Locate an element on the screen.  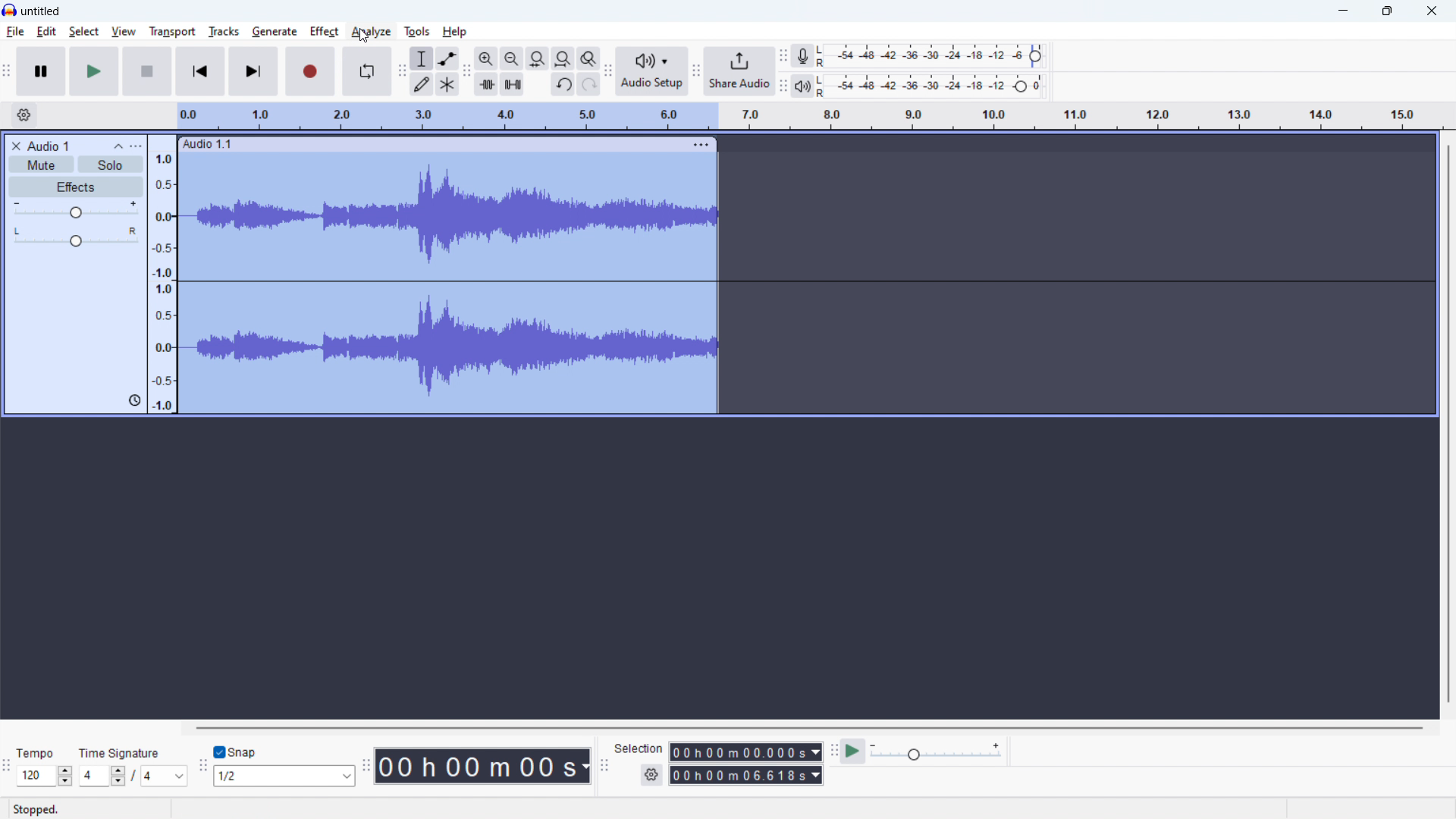
snapping toolbar is located at coordinates (202, 767).